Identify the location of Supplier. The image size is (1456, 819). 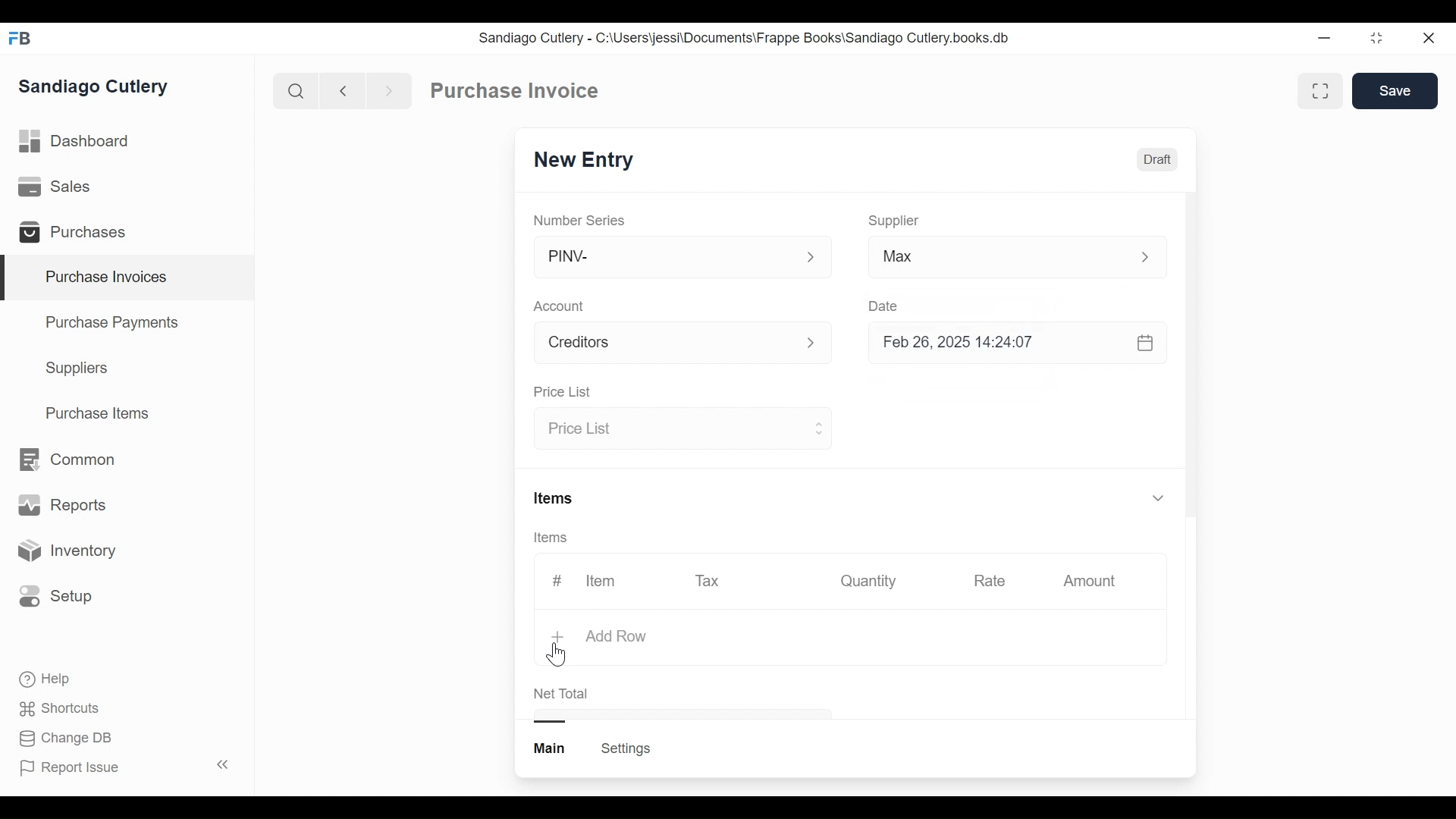
(894, 221).